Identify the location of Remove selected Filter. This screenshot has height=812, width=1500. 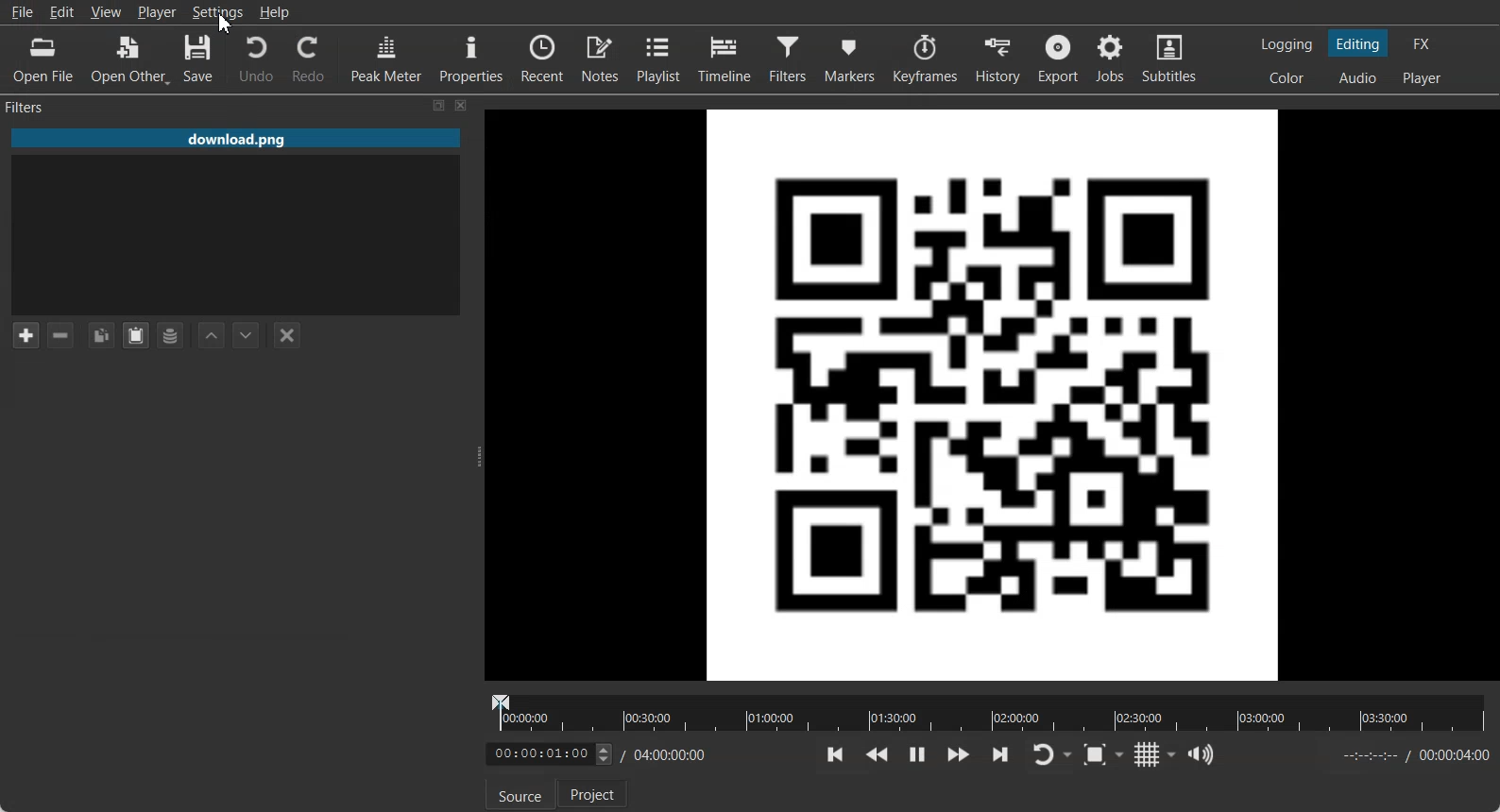
(62, 335).